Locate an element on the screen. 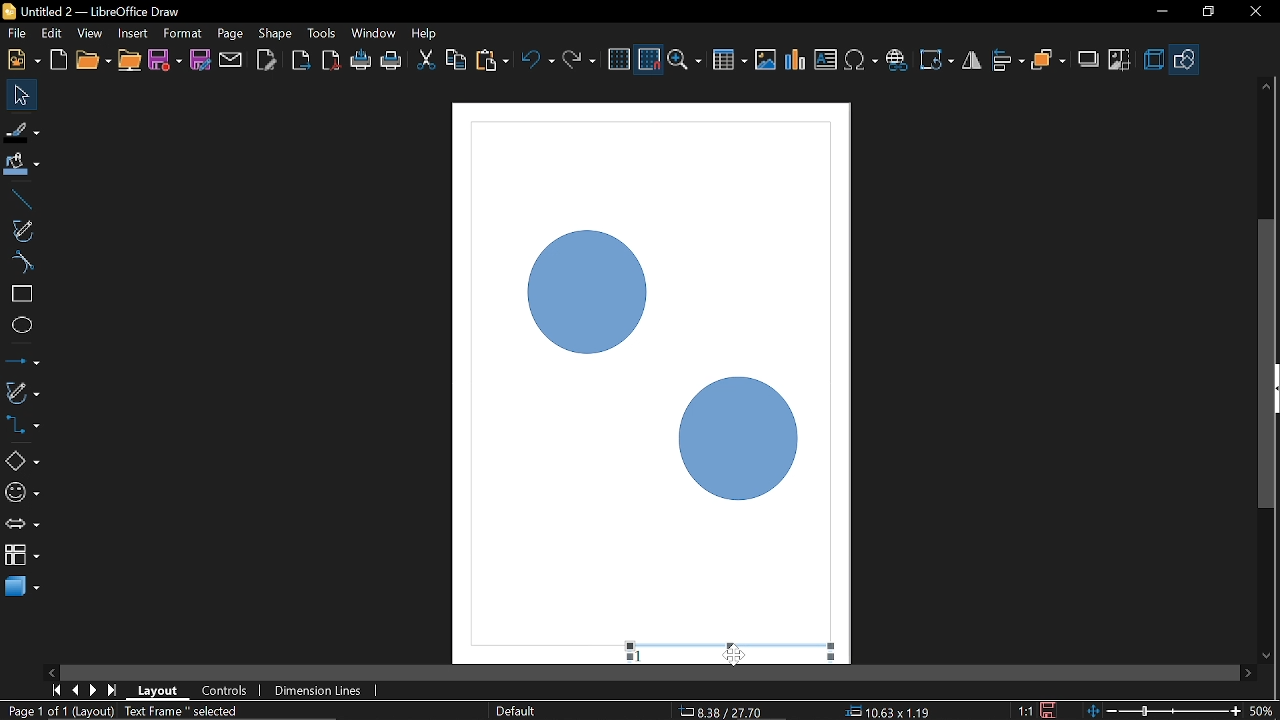  Last page is located at coordinates (114, 692).